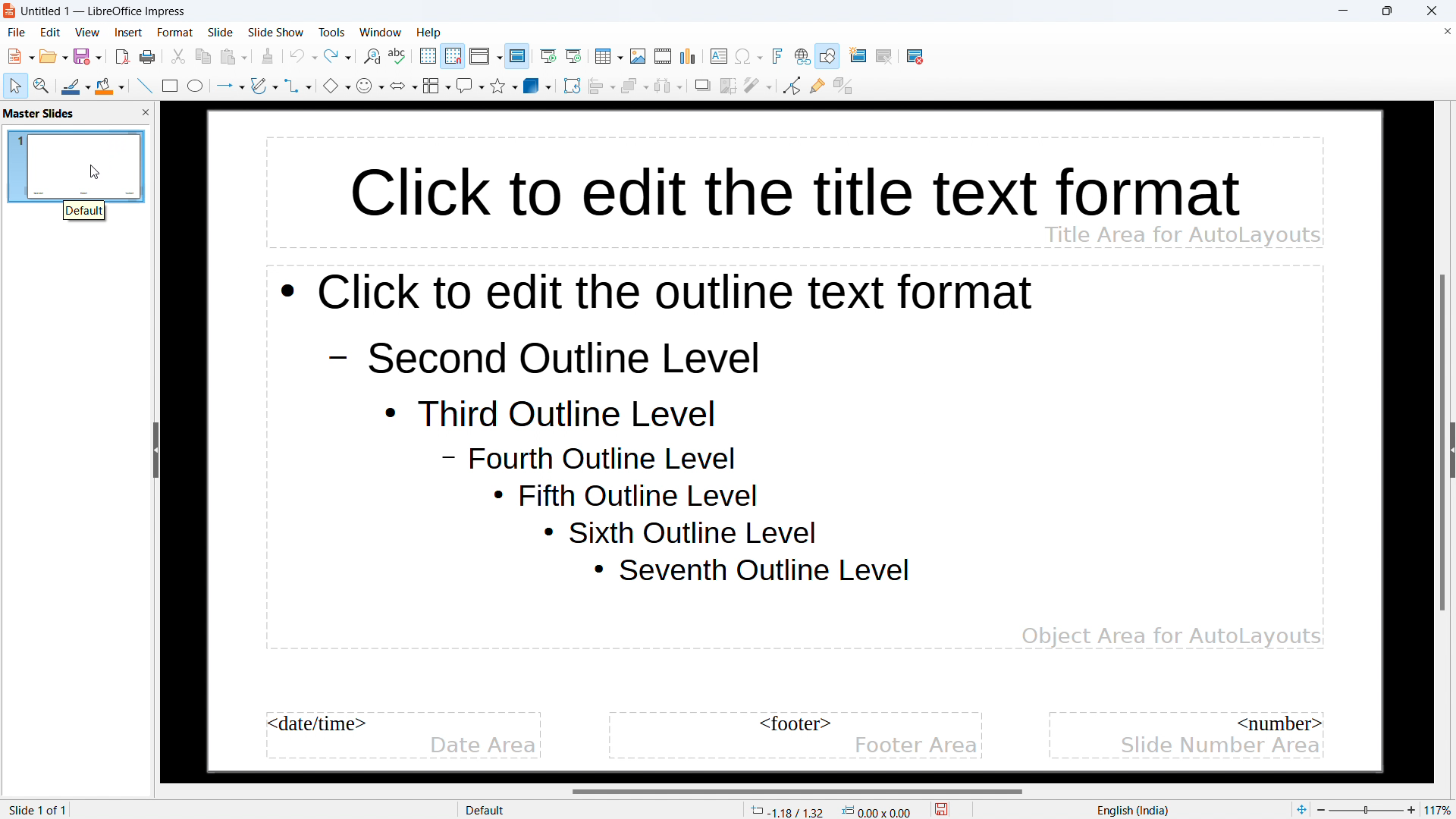 The height and width of the screenshot is (819, 1456). What do you see at coordinates (230, 86) in the screenshot?
I see `lines and arrows` at bounding box center [230, 86].